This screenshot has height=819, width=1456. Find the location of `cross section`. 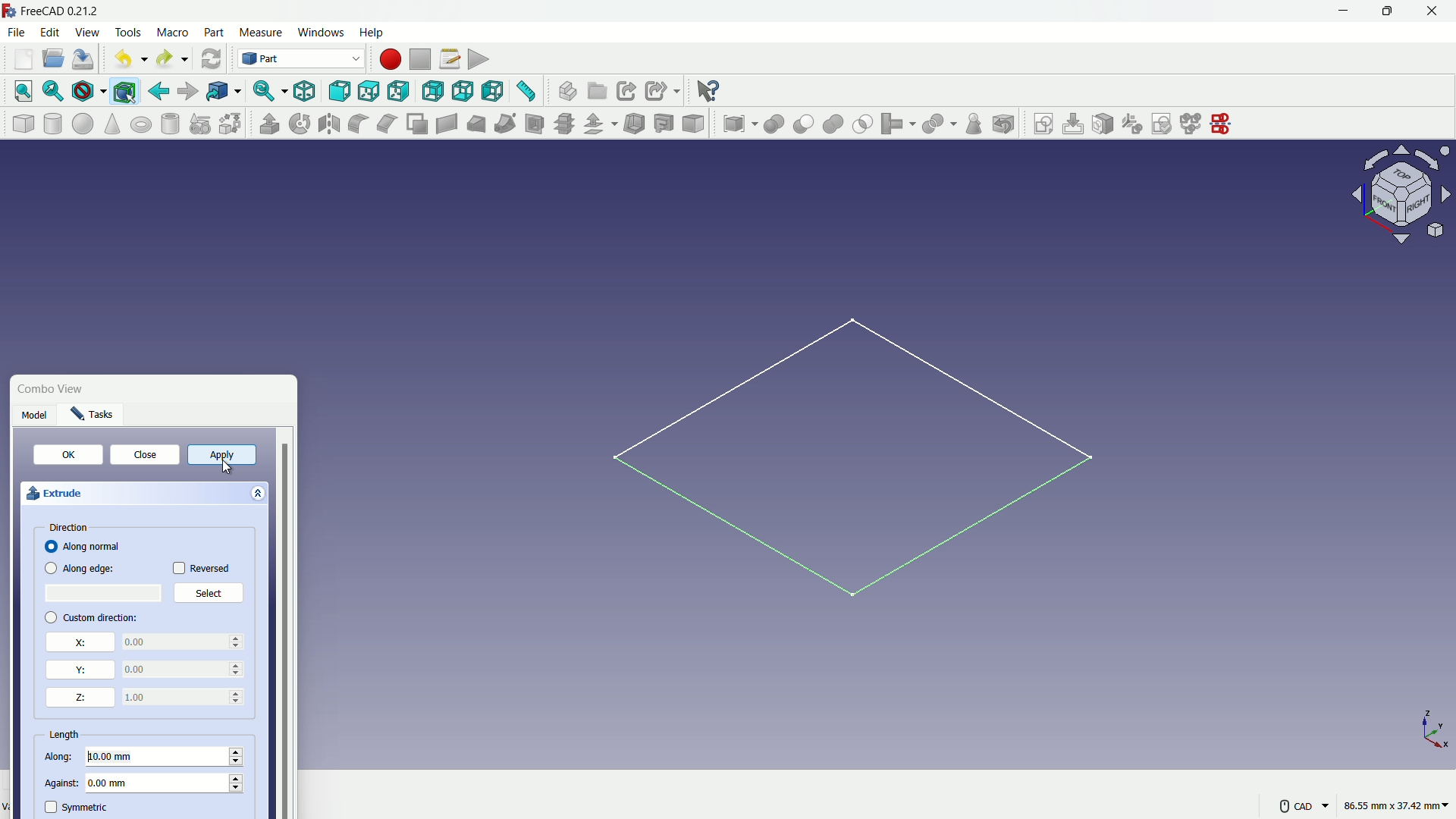

cross section is located at coordinates (567, 123).